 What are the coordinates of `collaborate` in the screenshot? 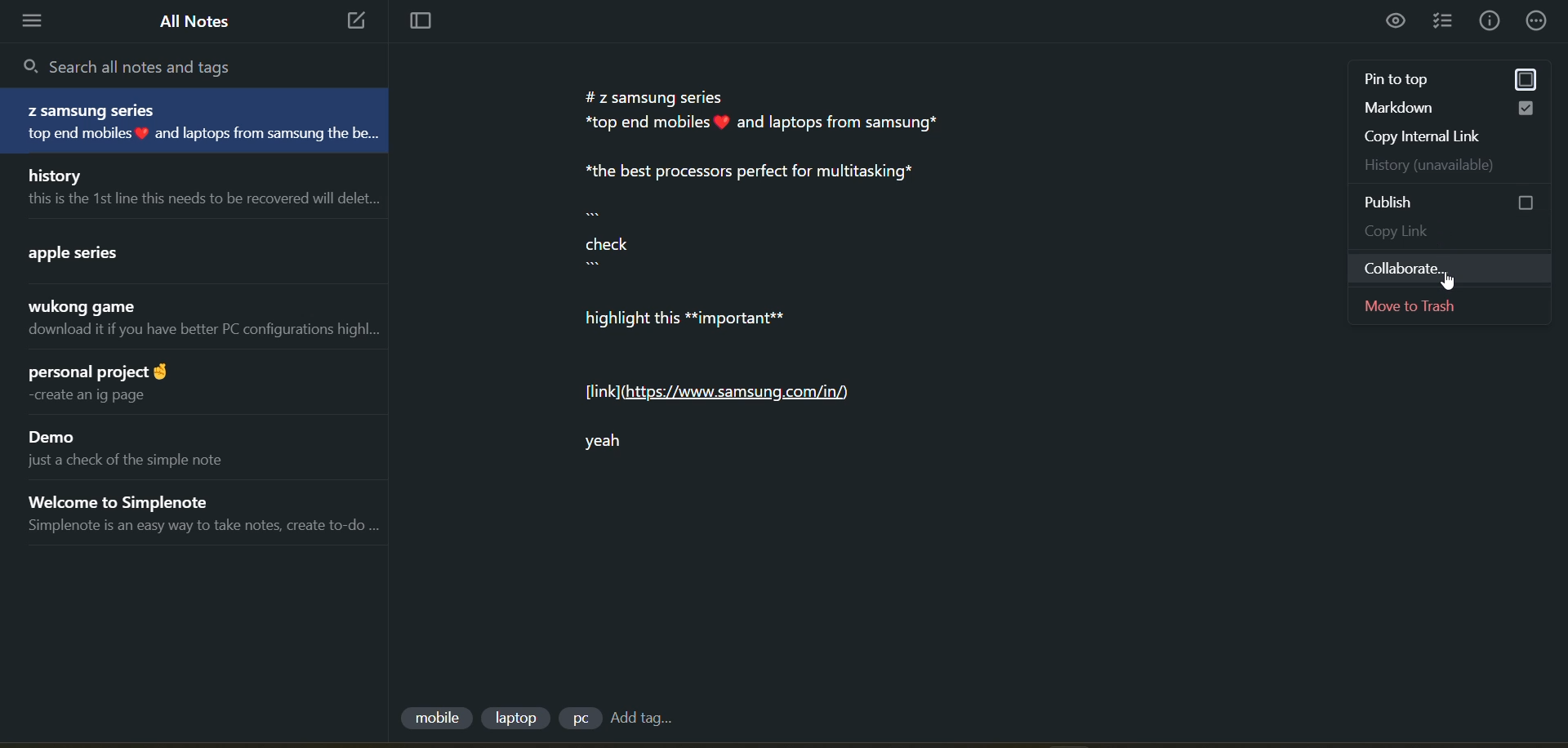 It's located at (1459, 272).